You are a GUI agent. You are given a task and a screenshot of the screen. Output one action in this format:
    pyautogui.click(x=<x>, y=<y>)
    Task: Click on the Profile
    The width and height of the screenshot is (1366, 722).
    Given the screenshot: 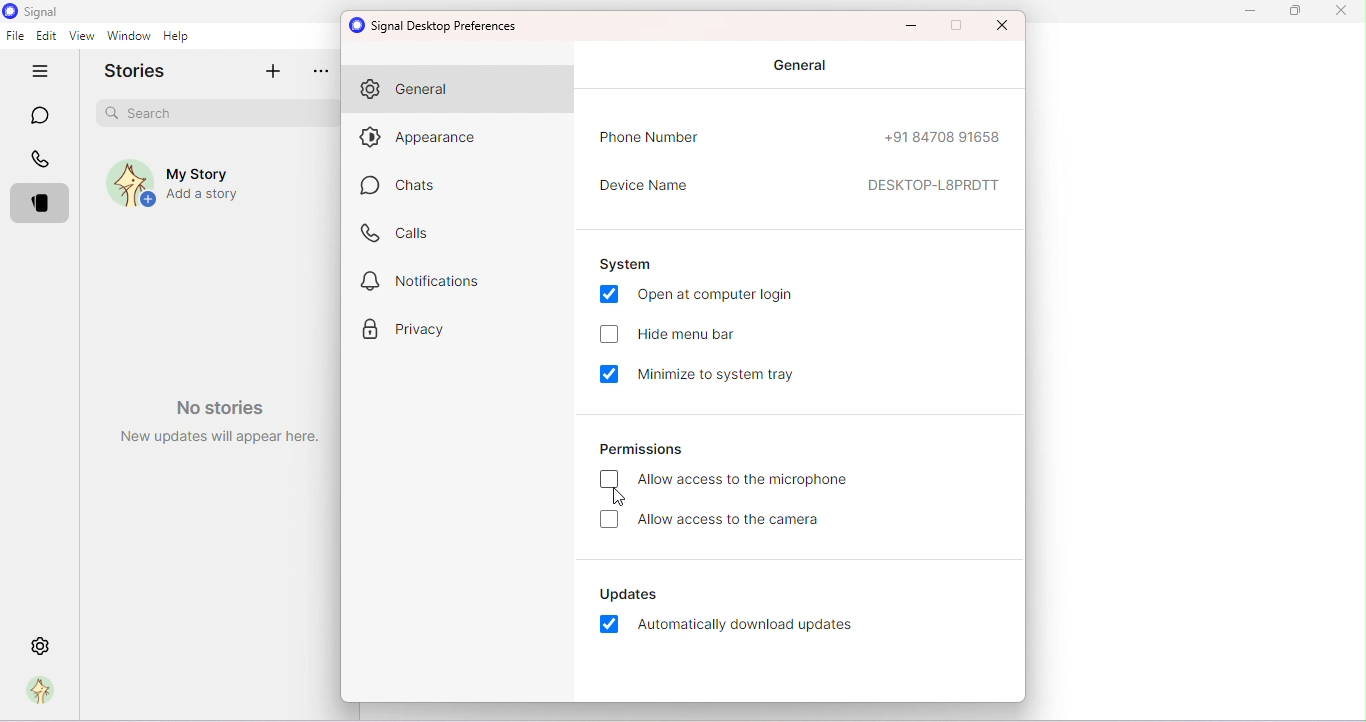 What is the action you would take?
    pyautogui.click(x=45, y=693)
    